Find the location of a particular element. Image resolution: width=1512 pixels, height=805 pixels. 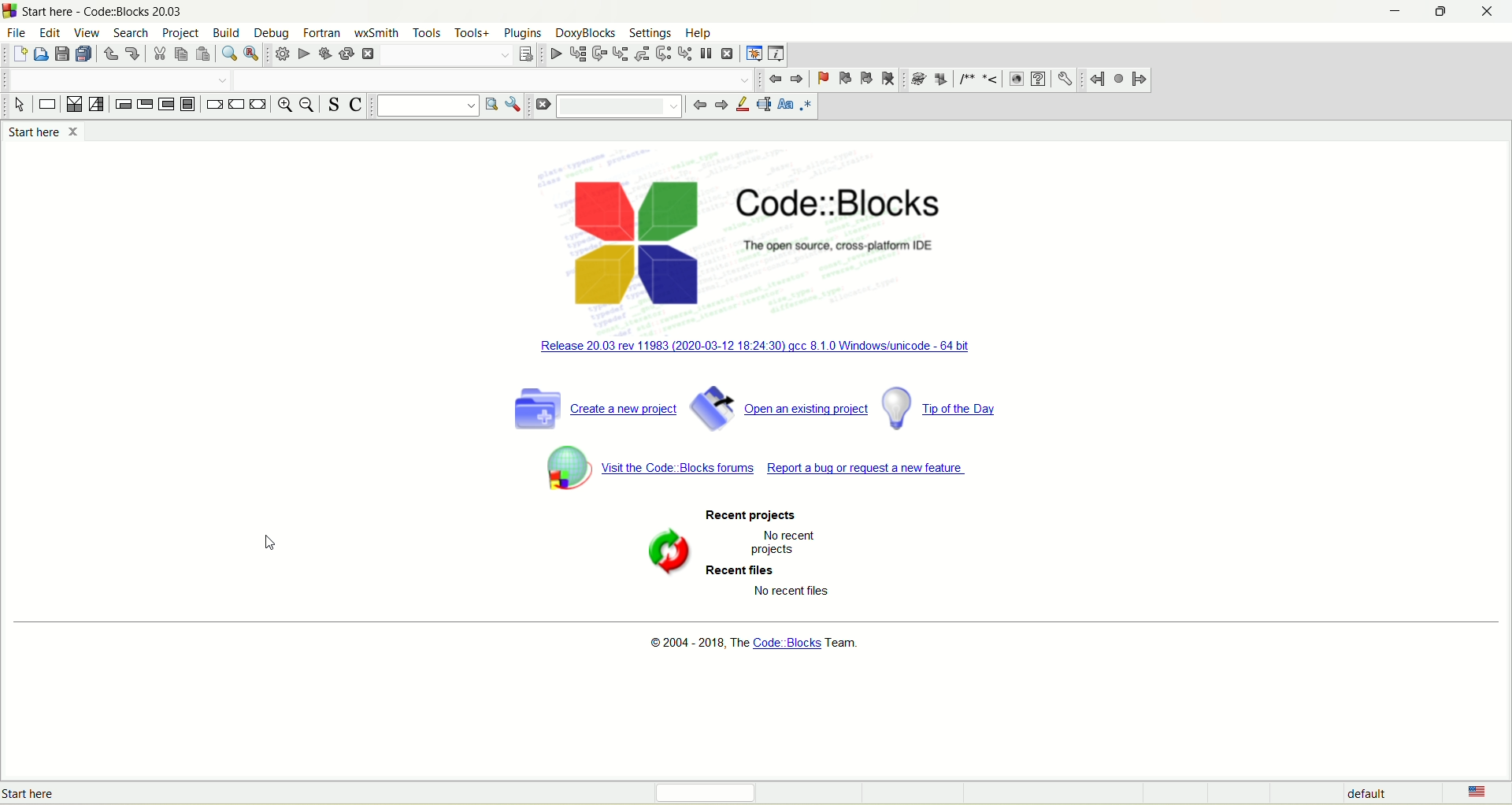

settings is located at coordinates (649, 32).